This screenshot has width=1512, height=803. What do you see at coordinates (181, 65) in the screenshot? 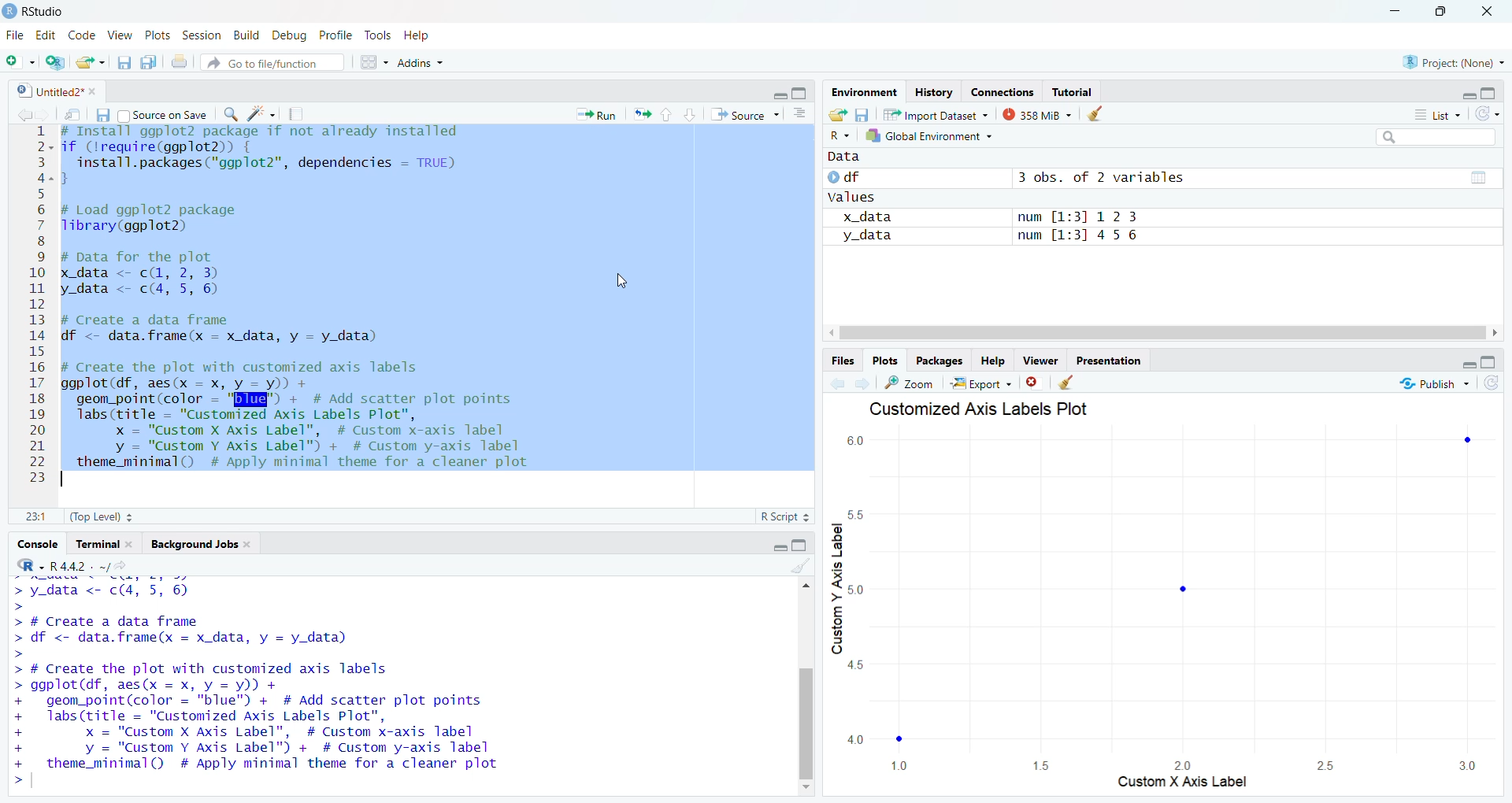
I see `print` at bounding box center [181, 65].